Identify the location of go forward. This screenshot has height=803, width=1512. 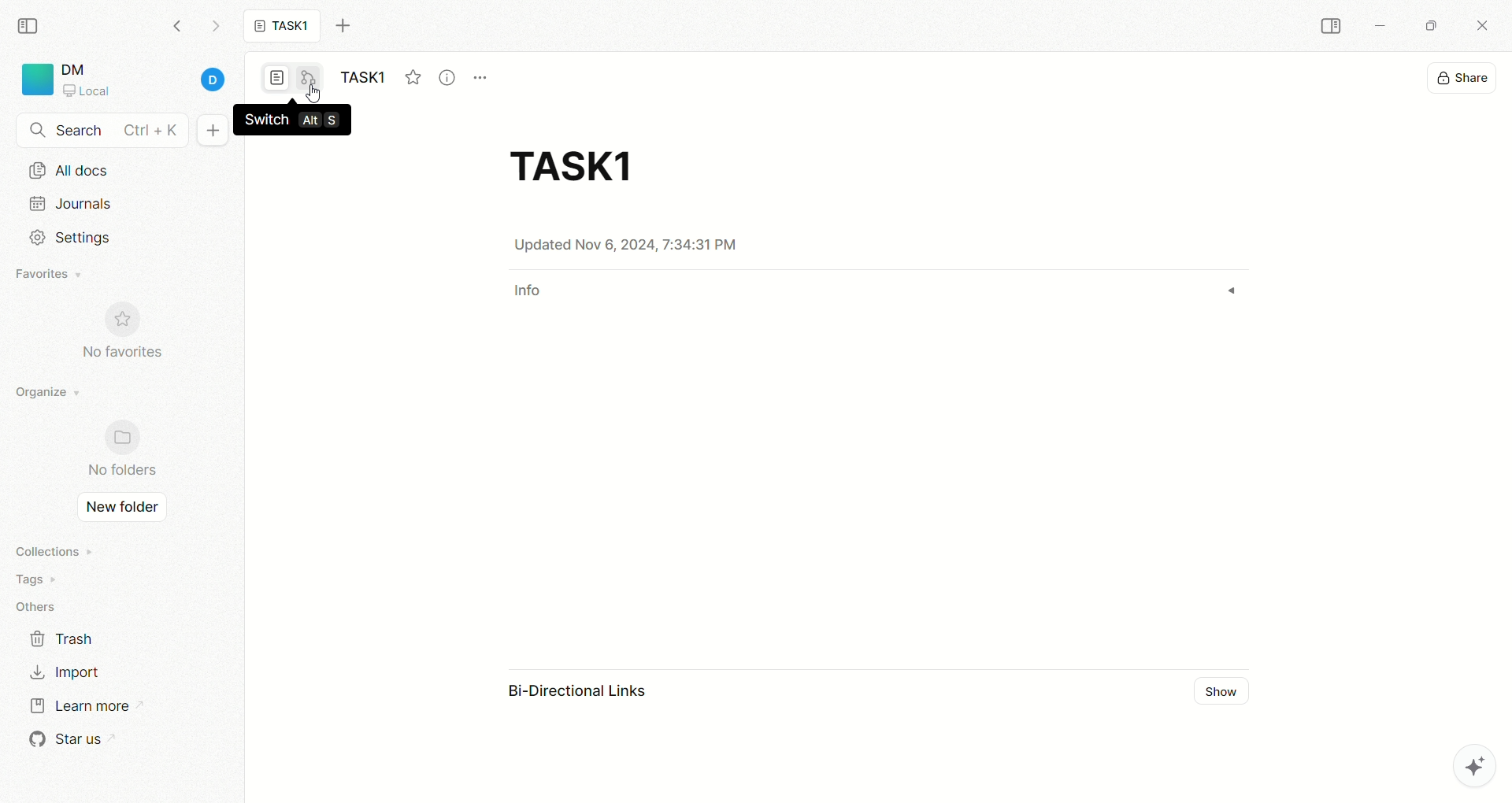
(215, 30).